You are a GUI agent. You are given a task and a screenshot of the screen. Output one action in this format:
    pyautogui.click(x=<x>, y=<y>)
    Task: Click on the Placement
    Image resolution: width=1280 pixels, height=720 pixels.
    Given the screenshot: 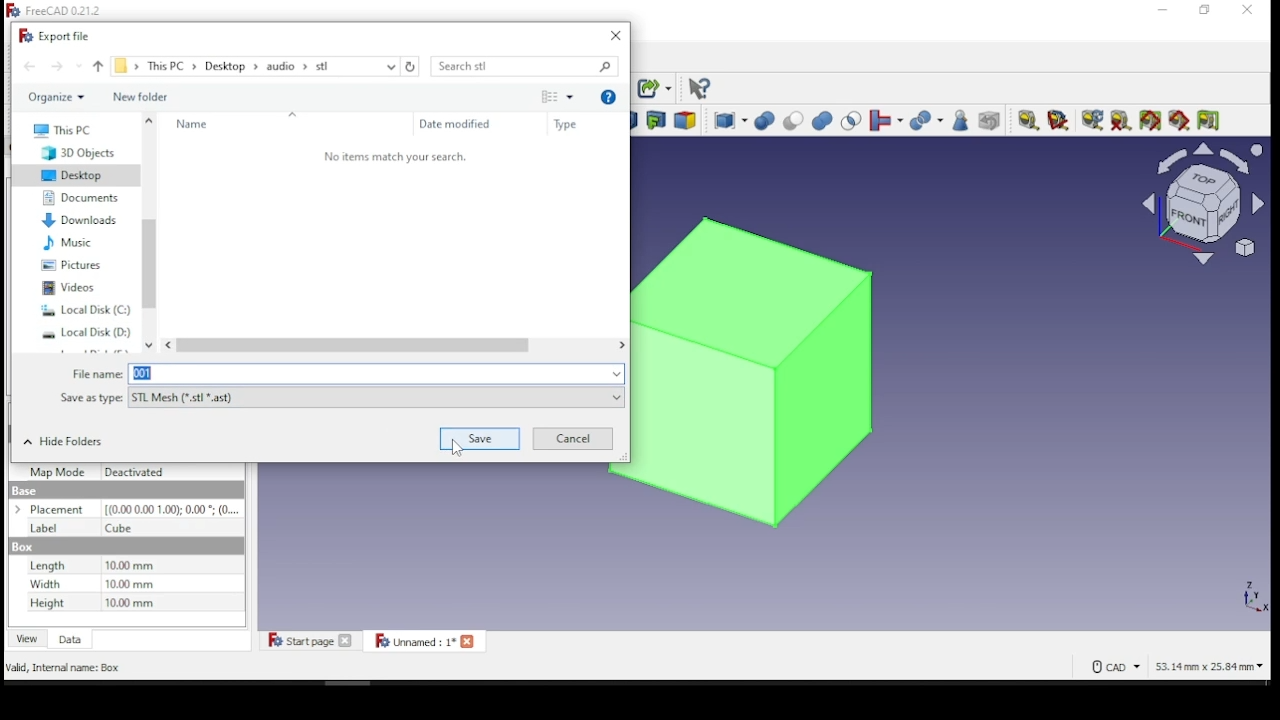 What is the action you would take?
    pyautogui.click(x=54, y=510)
    